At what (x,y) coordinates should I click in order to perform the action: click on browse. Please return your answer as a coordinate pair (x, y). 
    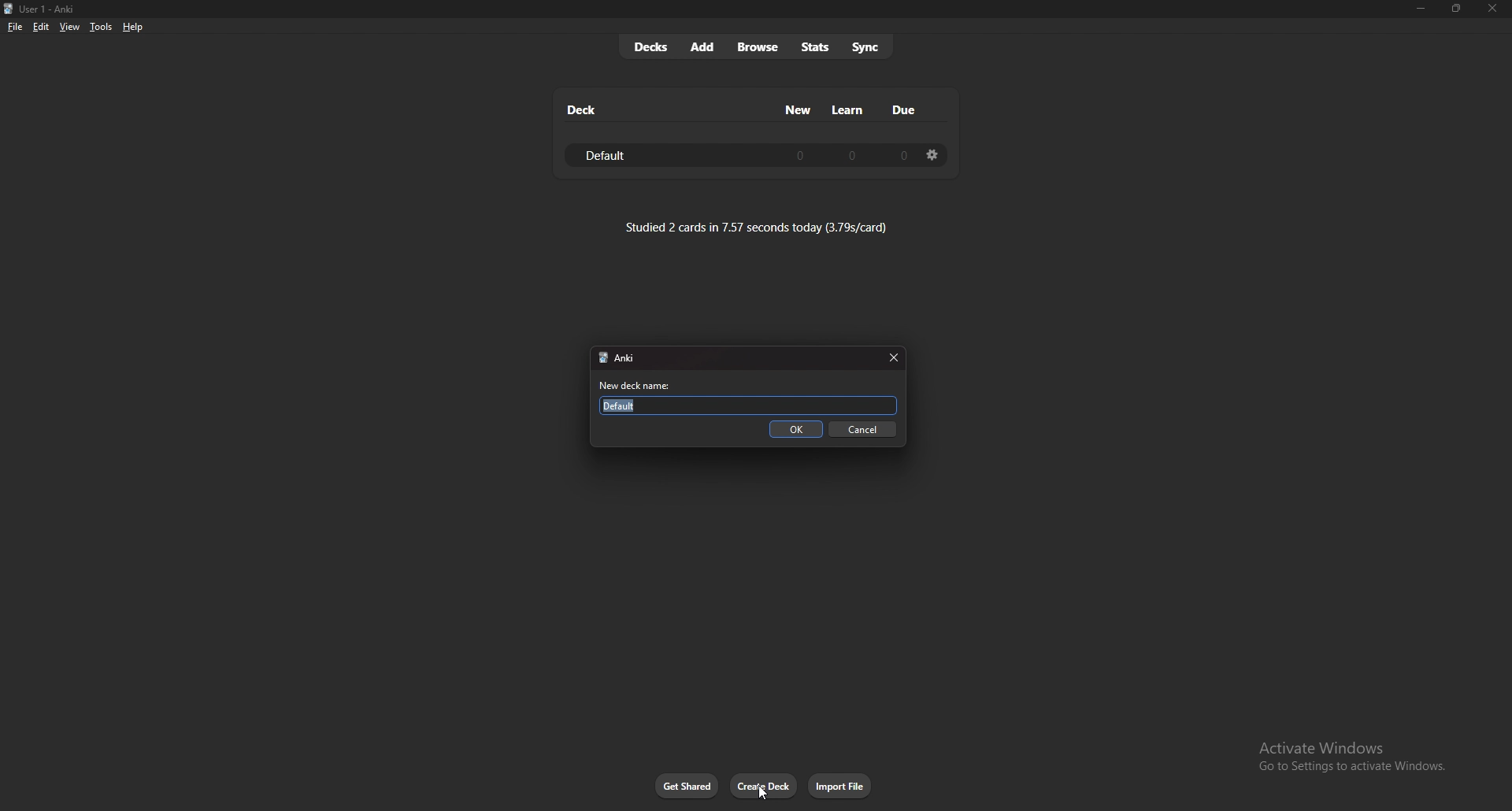
    Looking at the image, I should click on (760, 48).